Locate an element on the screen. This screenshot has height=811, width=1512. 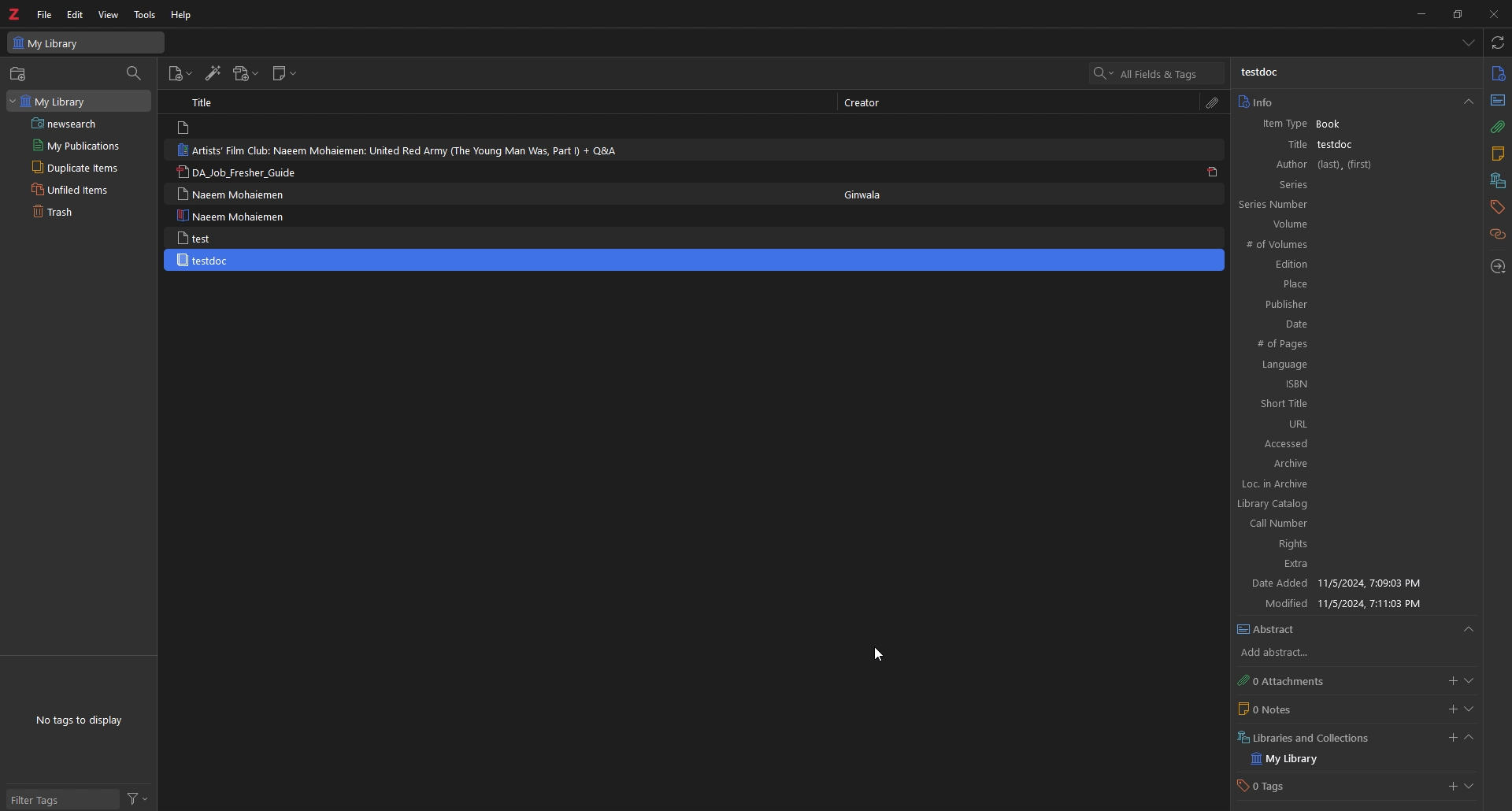
info is located at coordinates (1354, 102).